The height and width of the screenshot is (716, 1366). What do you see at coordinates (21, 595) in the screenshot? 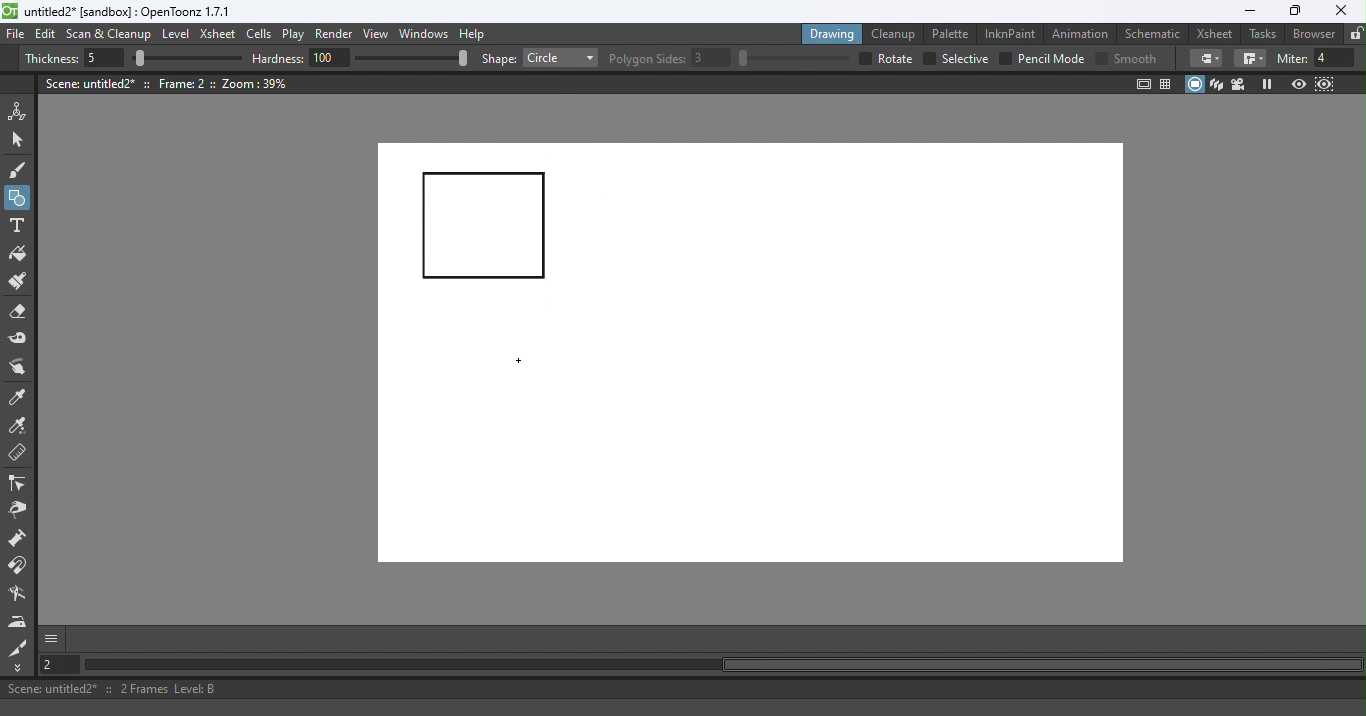
I see `Blender tool` at bounding box center [21, 595].